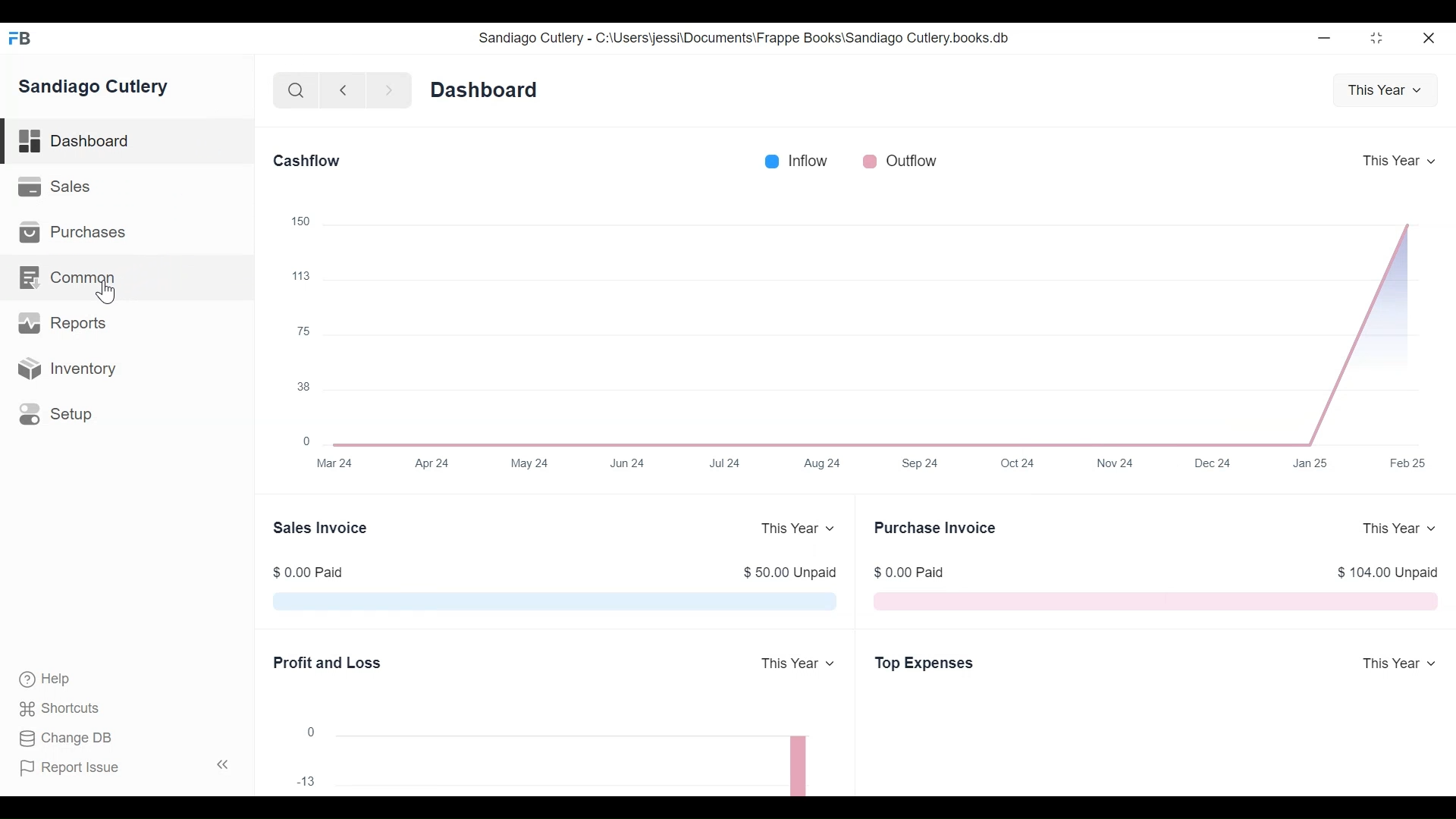 The image size is (1456, 819). Describe the element at coordinates (726, 462) in the screenshot. I see `Jul 24` at that location.